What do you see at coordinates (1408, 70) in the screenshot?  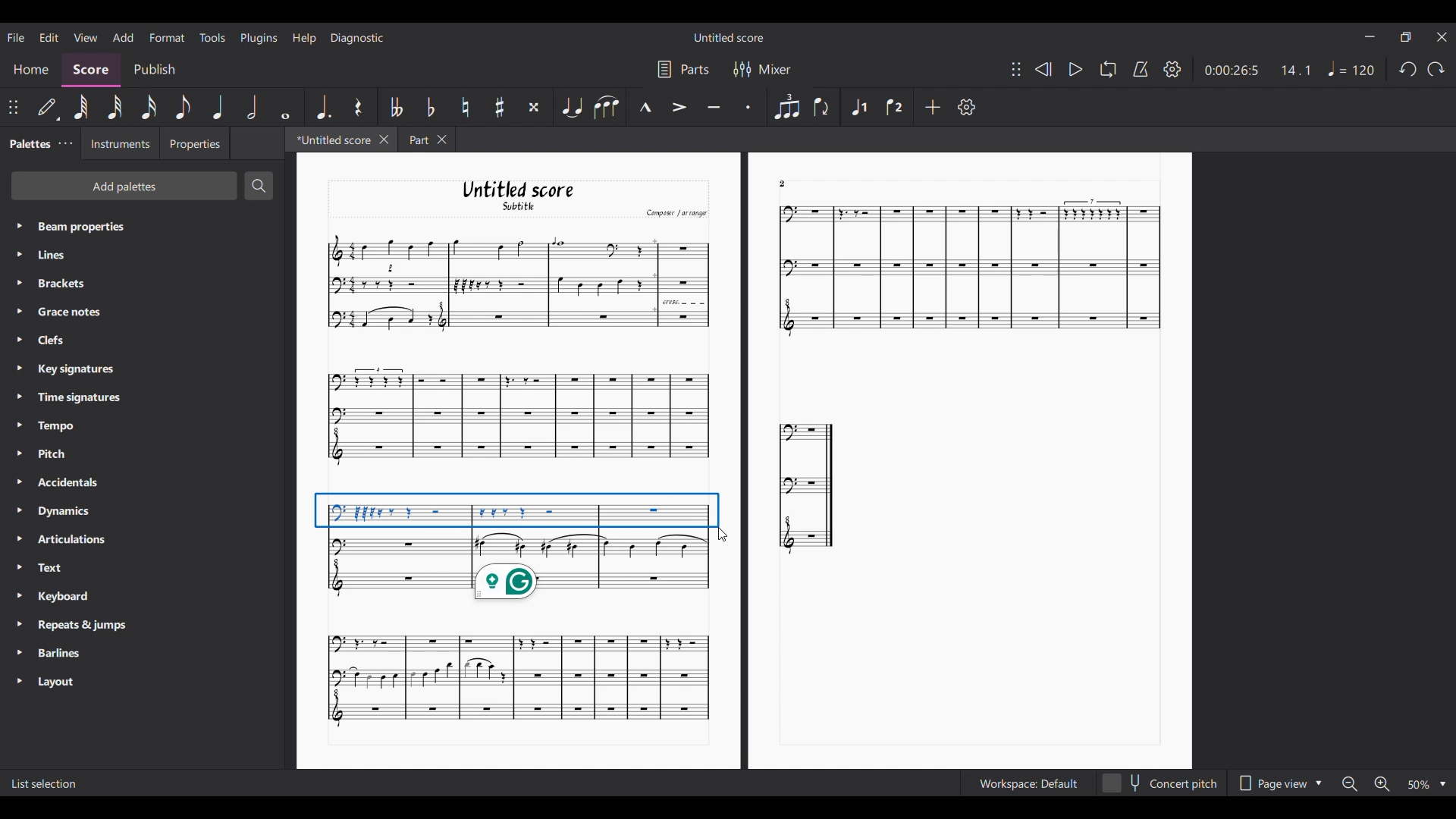 I see `Undo` at bounding box center [1408, 70].